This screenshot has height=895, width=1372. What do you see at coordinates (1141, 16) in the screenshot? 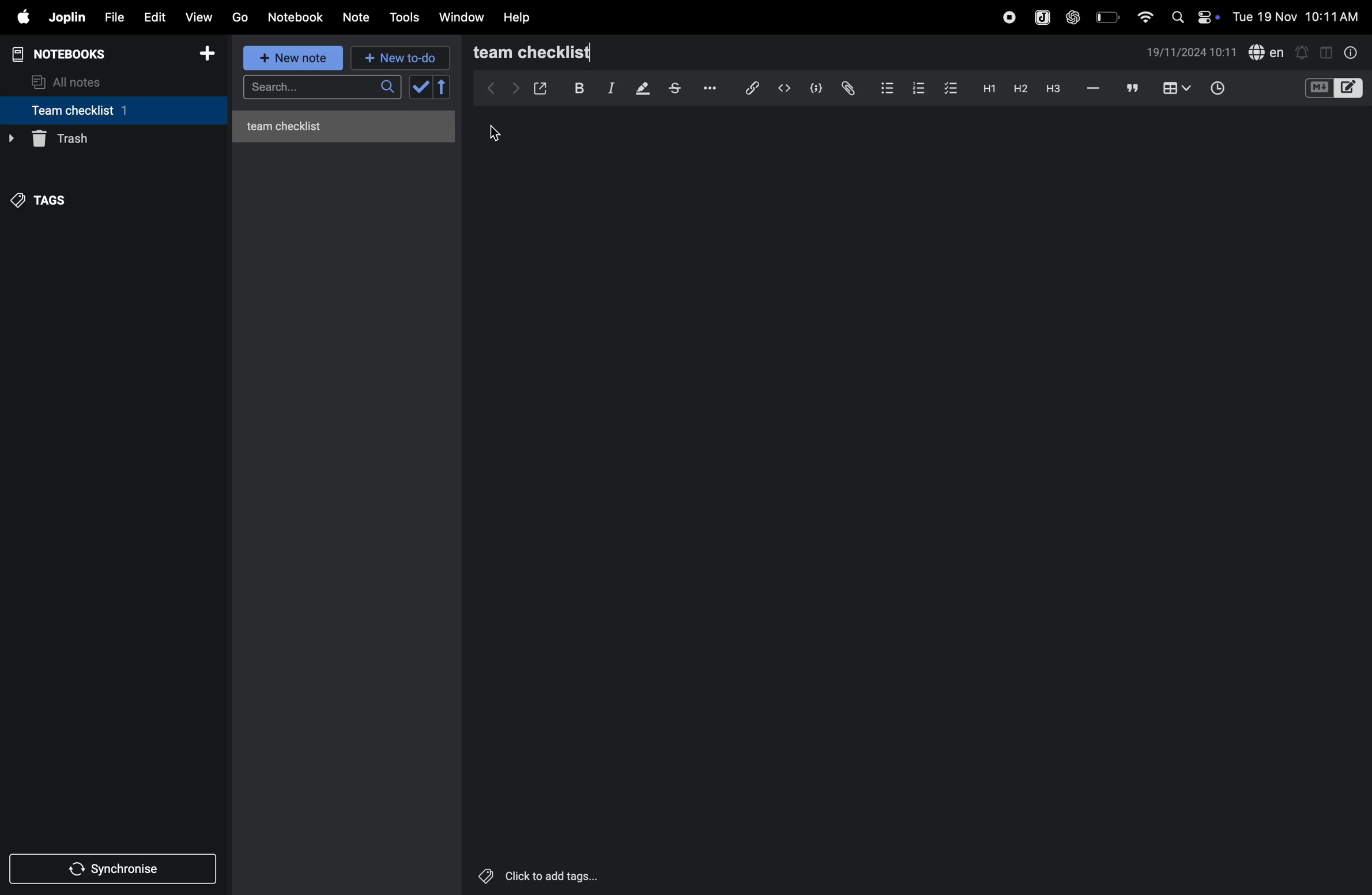
I see `wifi` at bounding box center [1141, 16].